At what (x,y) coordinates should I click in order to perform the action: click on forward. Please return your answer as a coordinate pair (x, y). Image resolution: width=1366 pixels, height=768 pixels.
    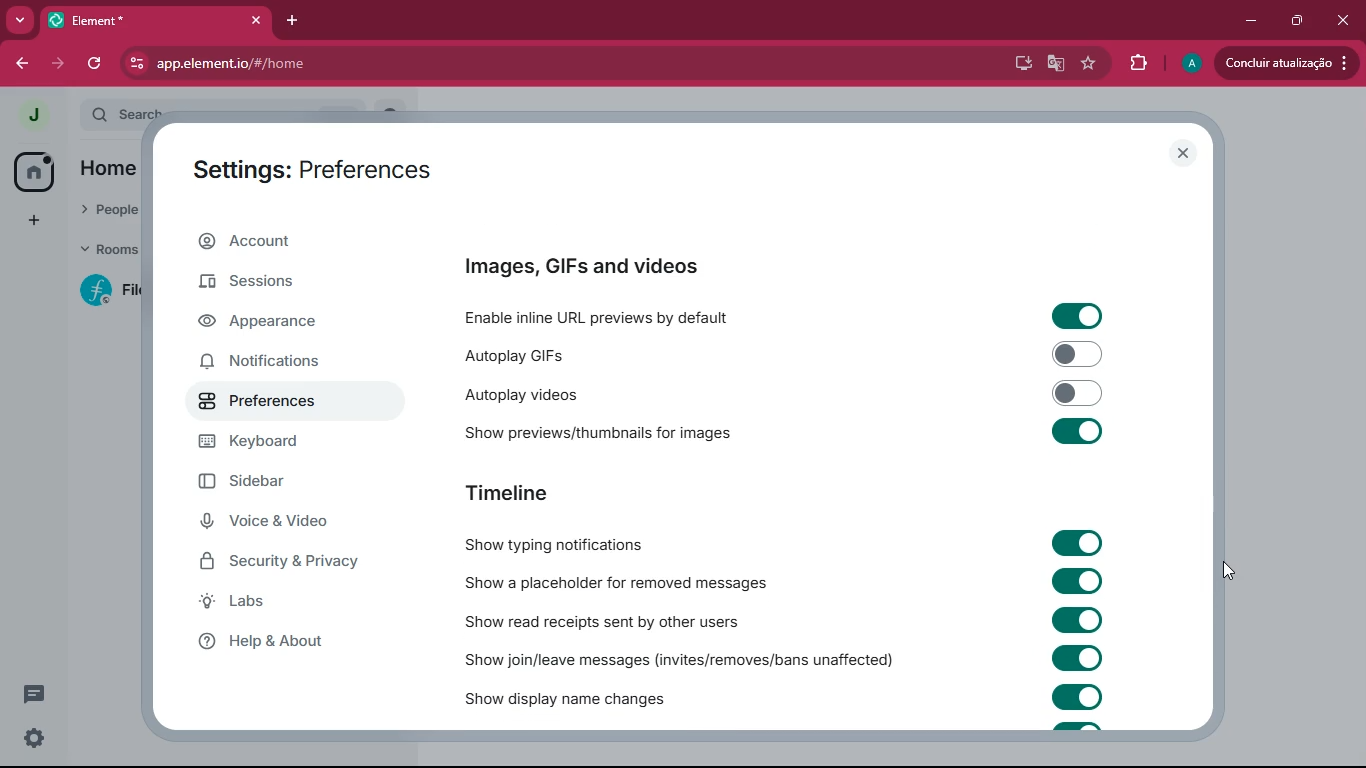
    Looking at the image, I should click on (58, 64).